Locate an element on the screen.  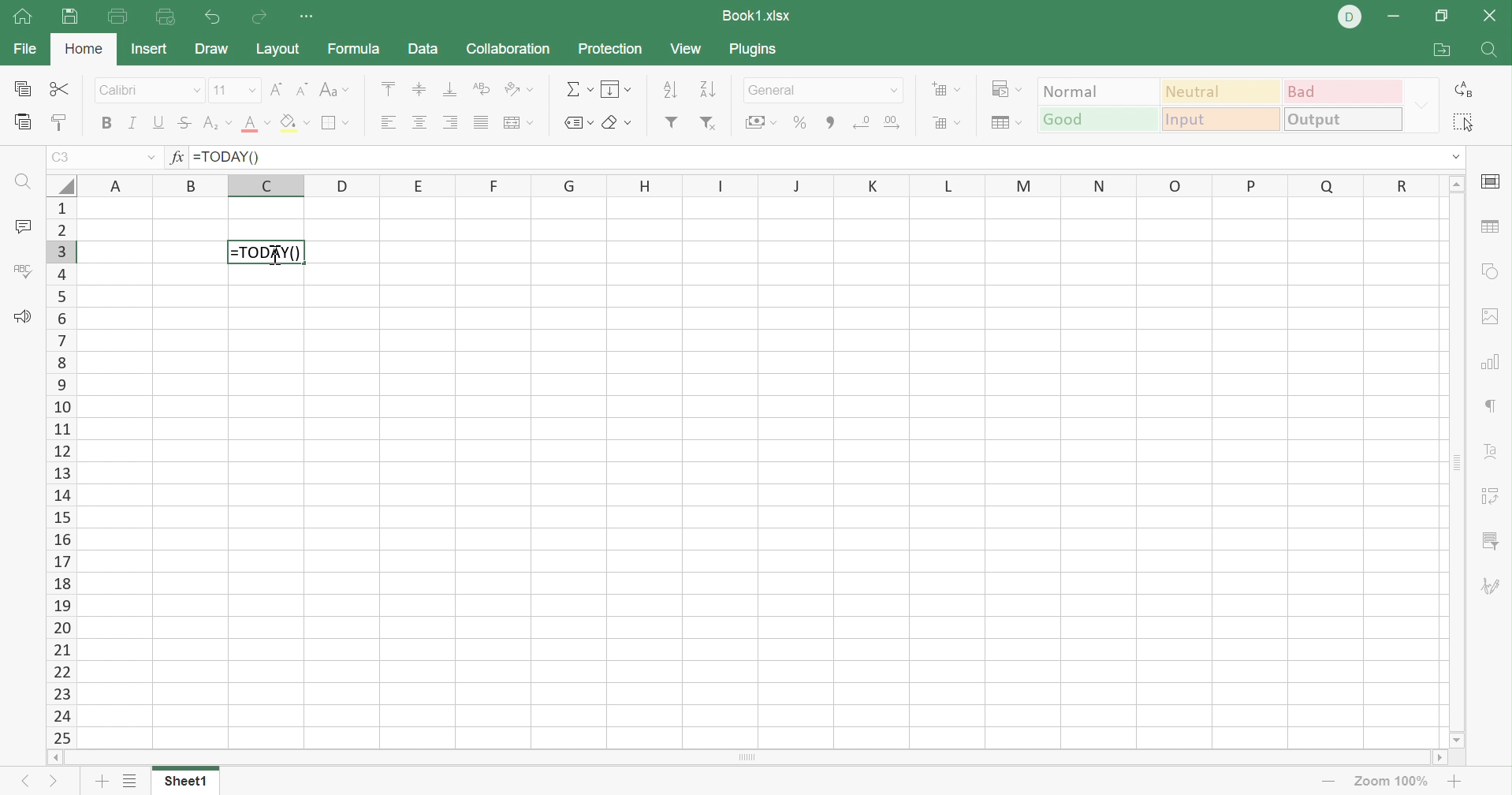
Draw is located at coordinates (210, 50).